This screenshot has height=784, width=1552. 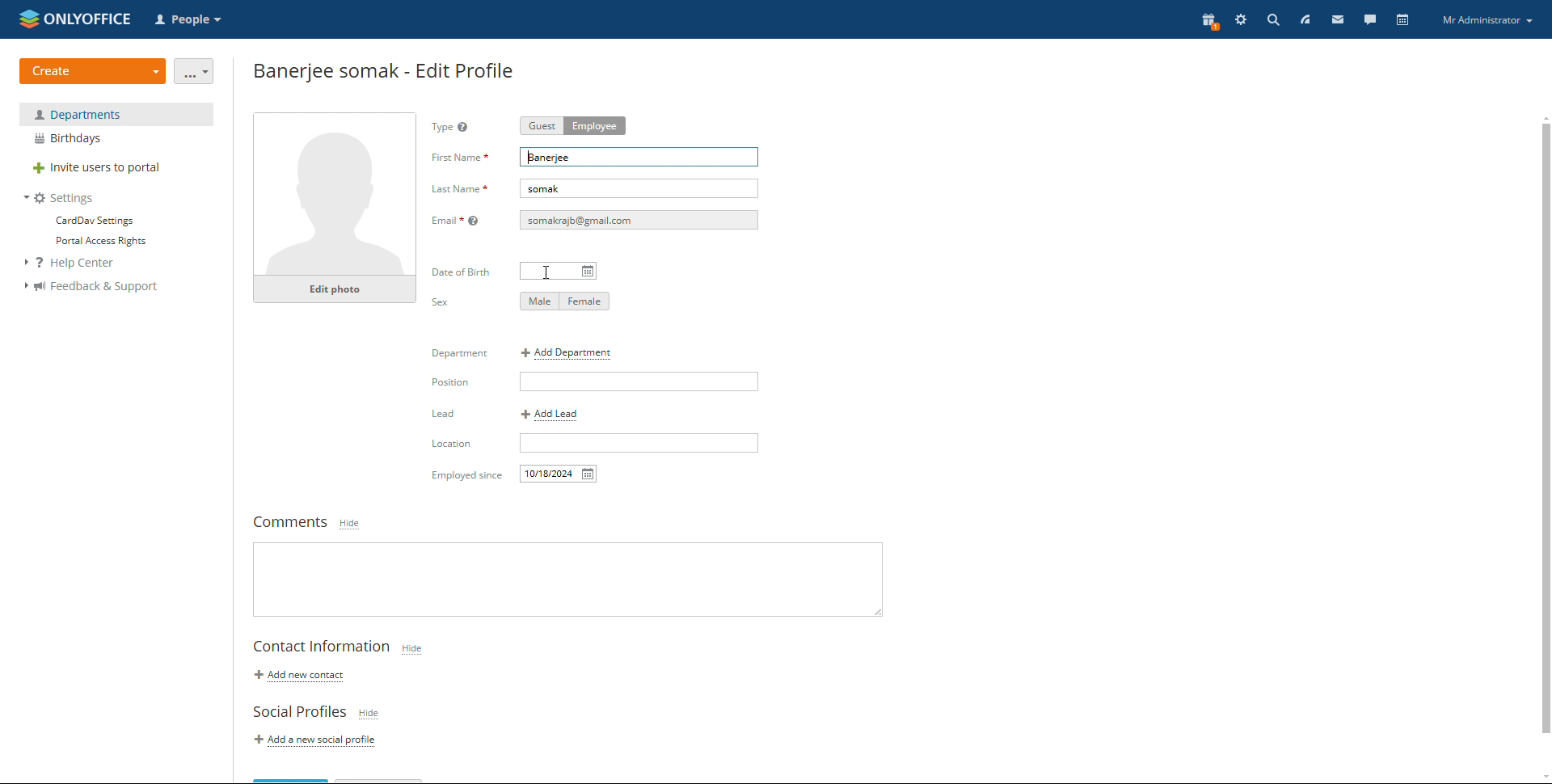 What do you see at coordinates (1208, 22) in the screenshot?
I see `present` at bounding box center [1208, 22].